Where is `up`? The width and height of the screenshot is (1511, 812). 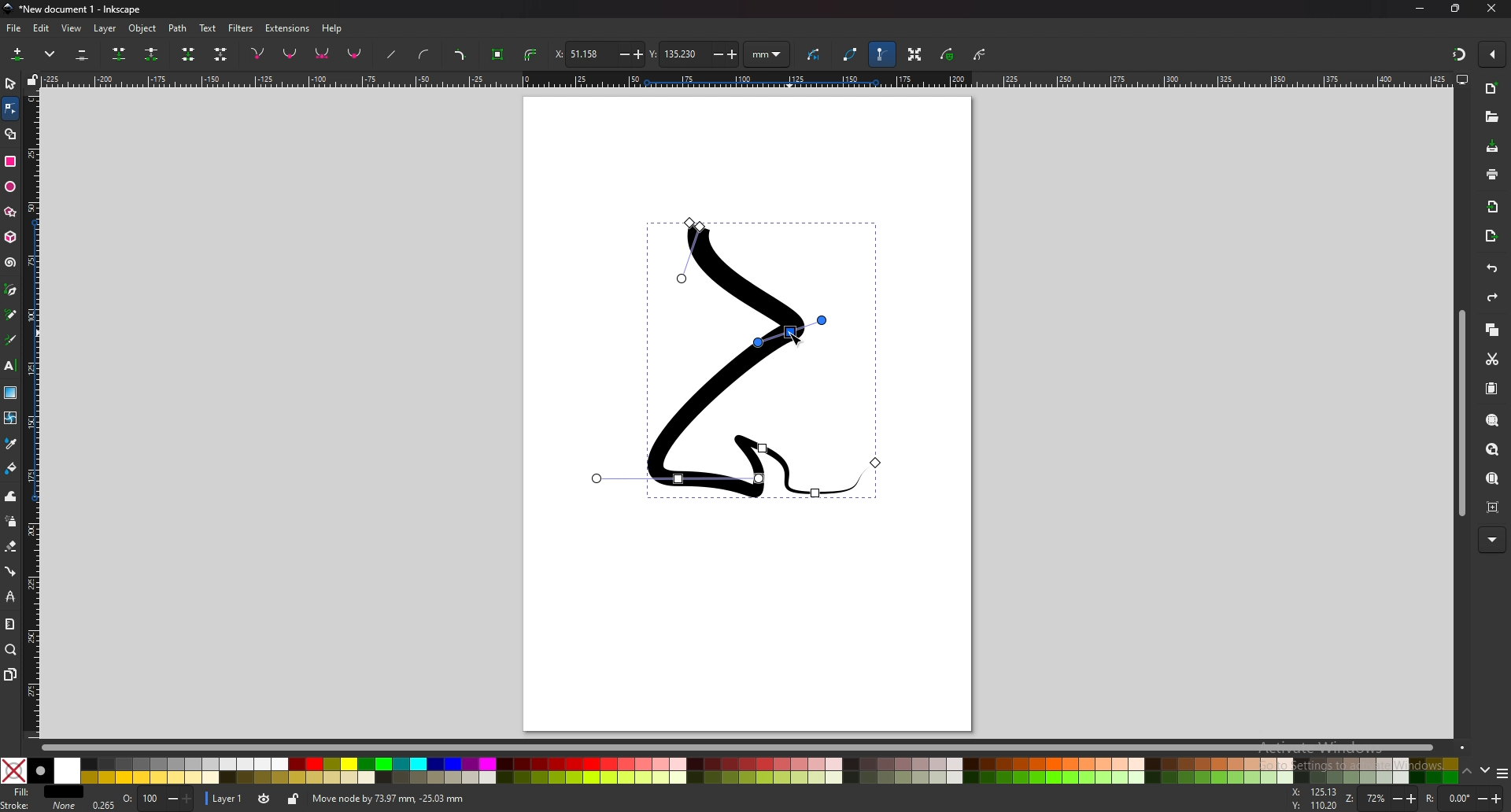 up is located at coordinates (1468, 772).